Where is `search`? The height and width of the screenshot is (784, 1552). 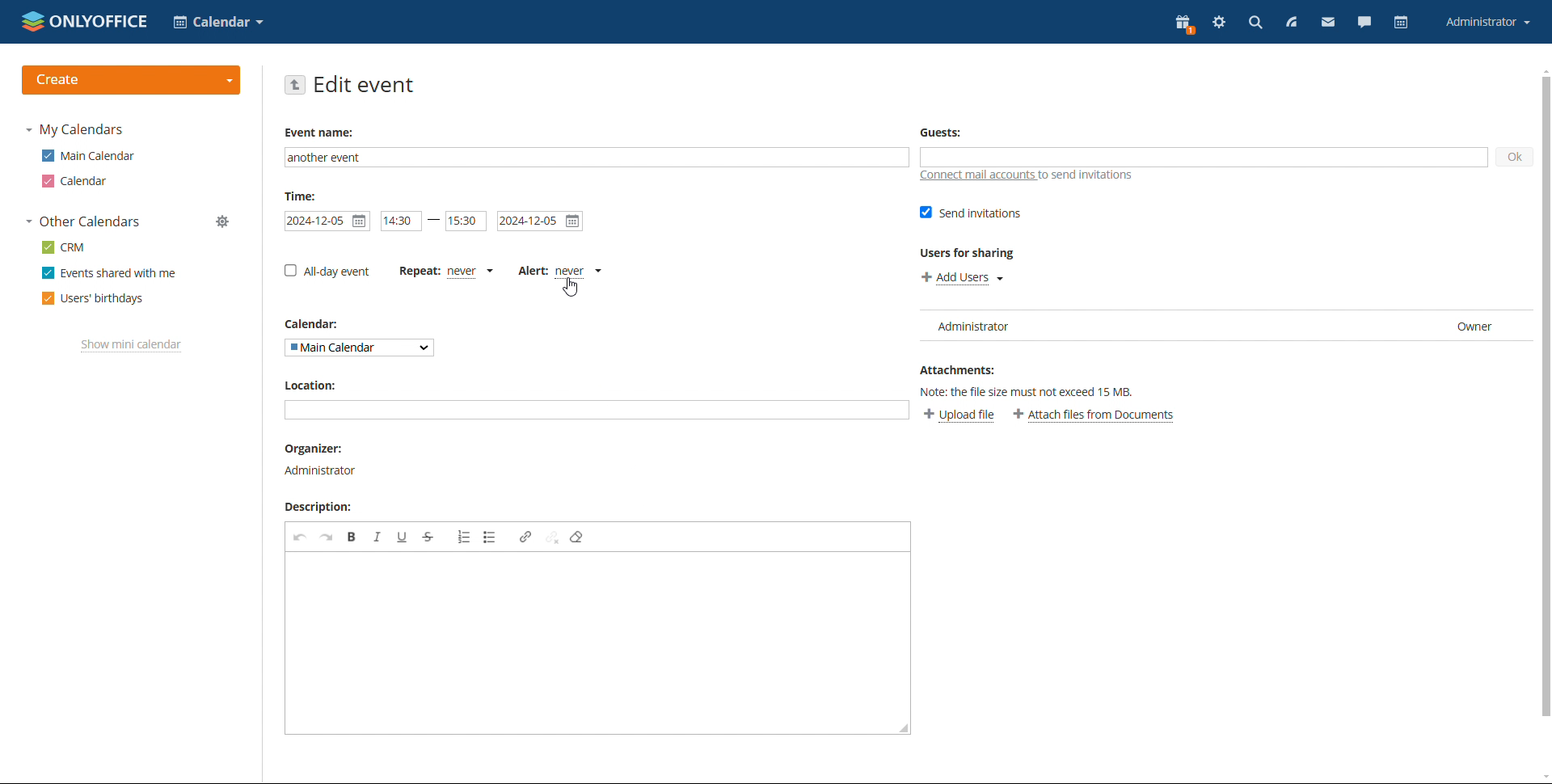 search is located at coordinates (1255, 23).